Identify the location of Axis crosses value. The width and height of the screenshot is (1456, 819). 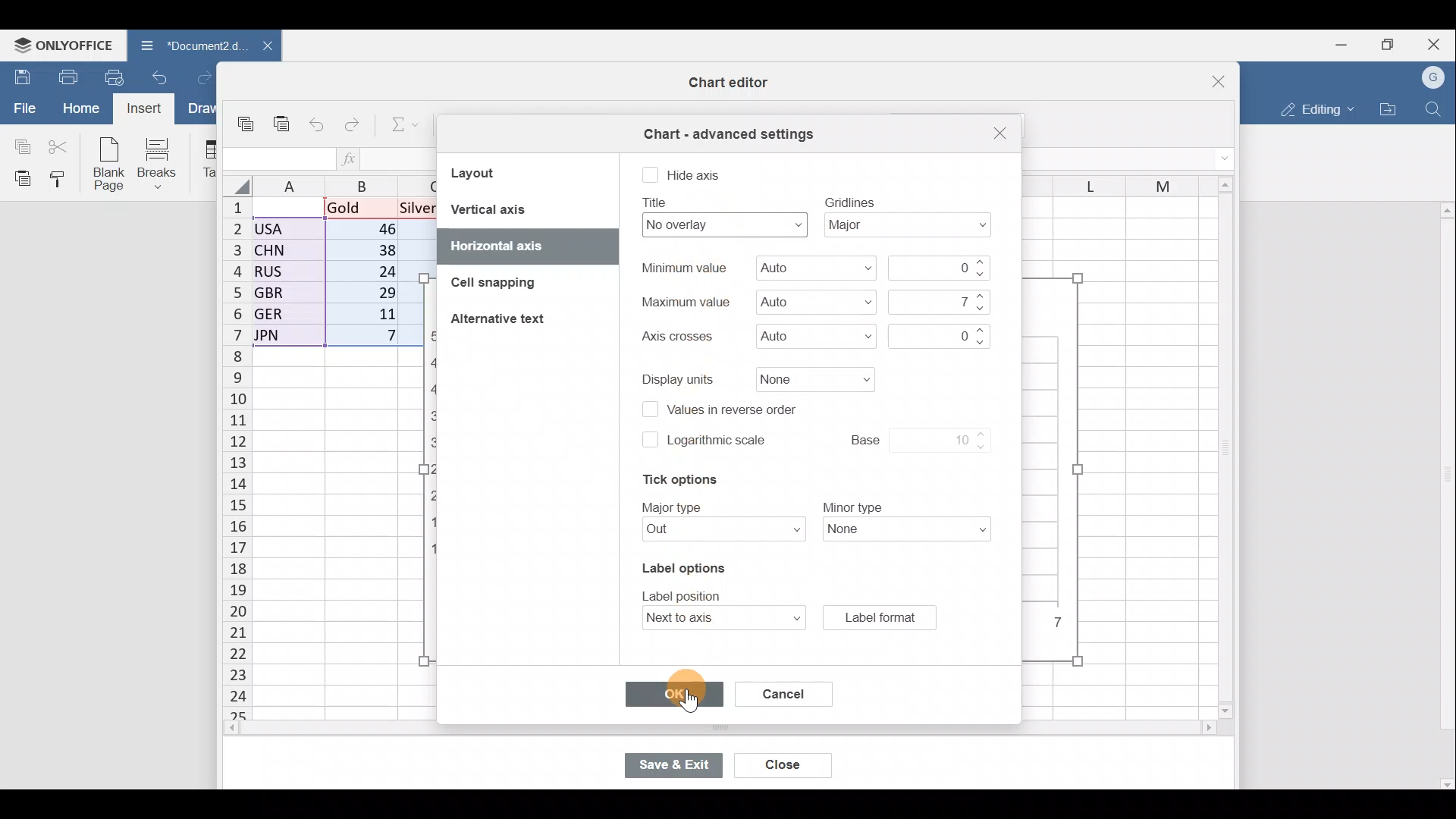
(936, 334).